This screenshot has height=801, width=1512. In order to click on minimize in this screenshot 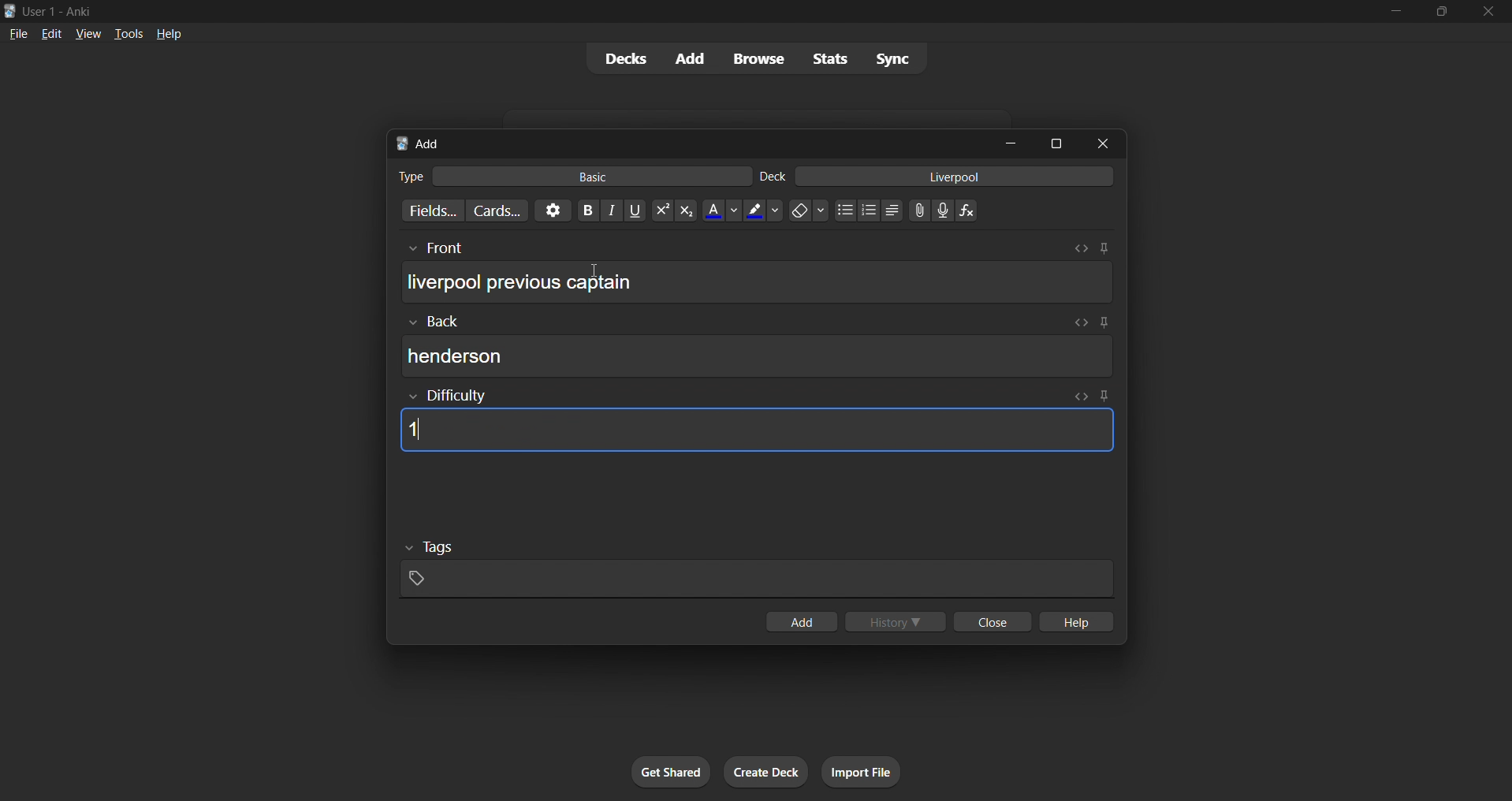, I will do `click(1014, 144)`.